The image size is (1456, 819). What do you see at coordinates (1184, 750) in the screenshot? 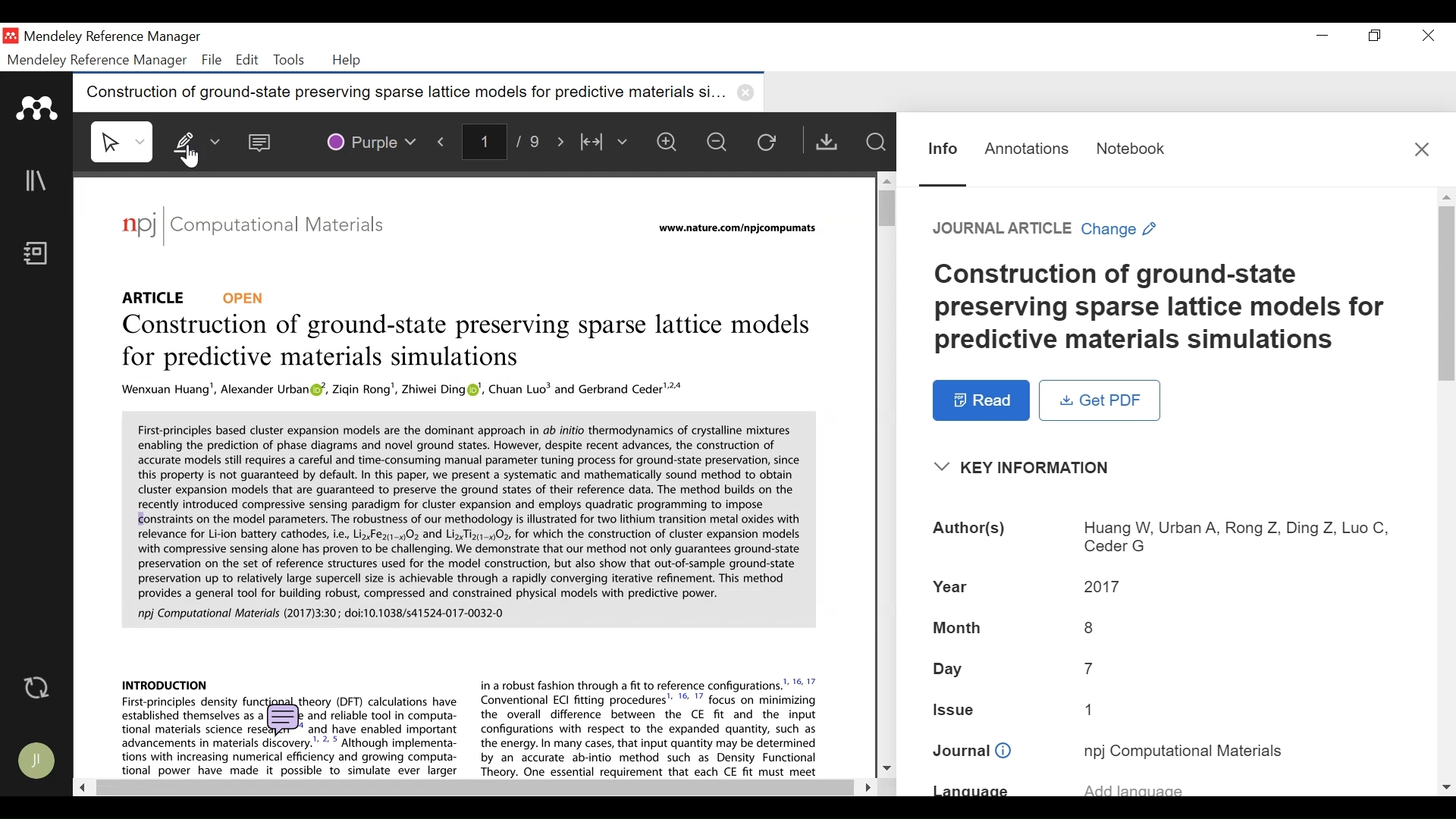
I see `Journal` at bounding box center [1184, 750].